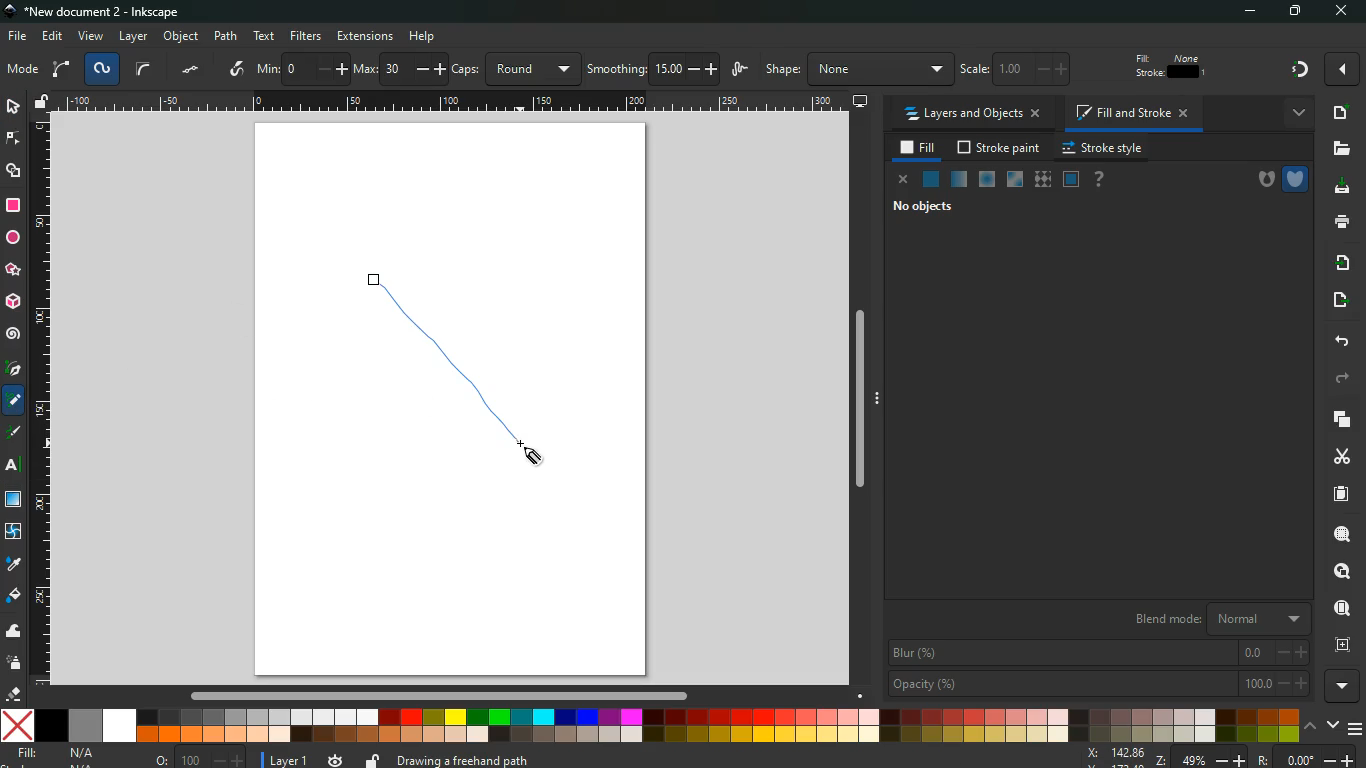 This screenshot has height=768, width=1366. What do you see at coordinates (1339, 644) in the screenshot?
I see `frame` at bounding box center [1339, 644].